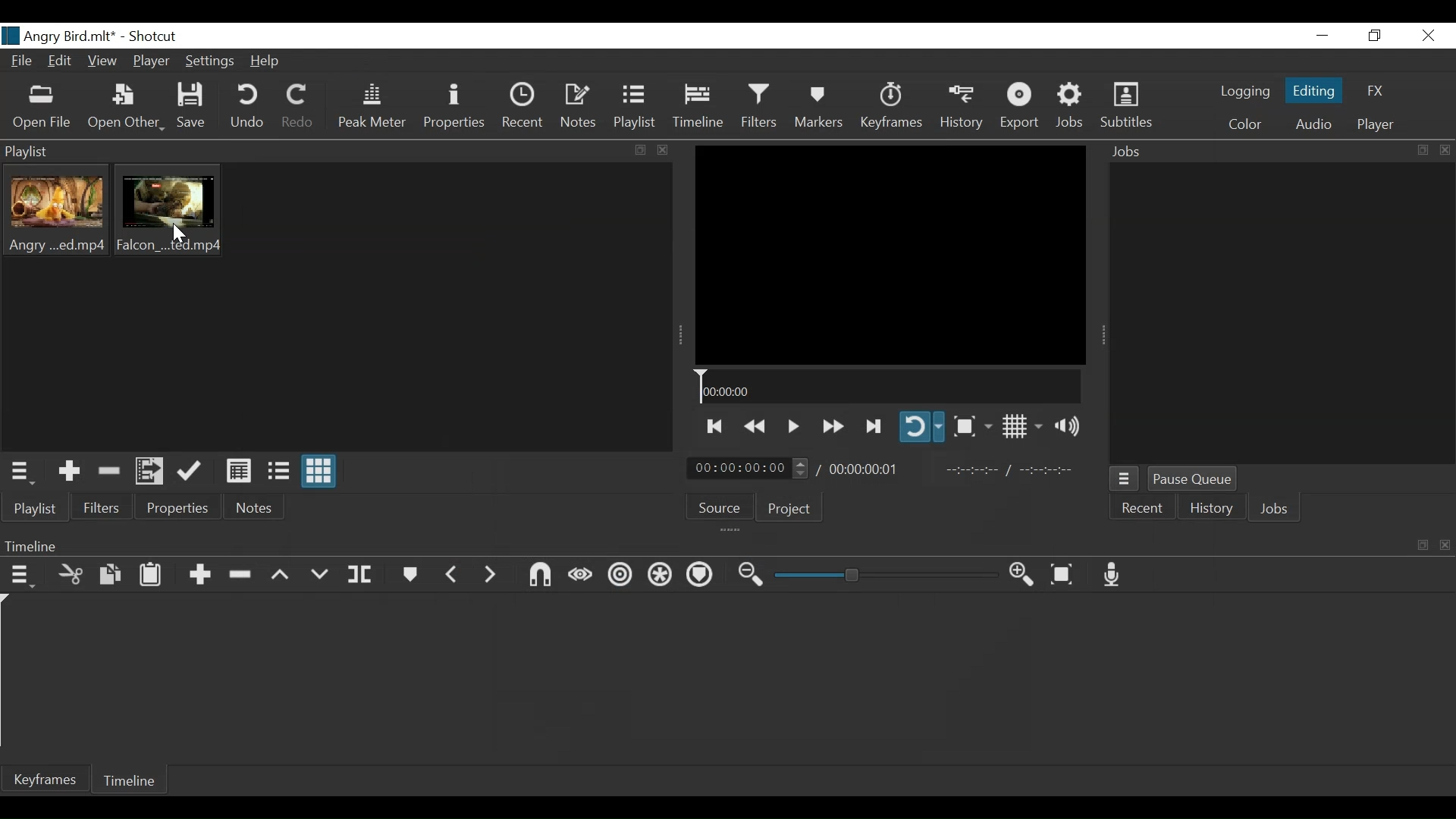 This screenshot has height=819, width=1456. I want to click on Timeline cursor, so click(9, 673).